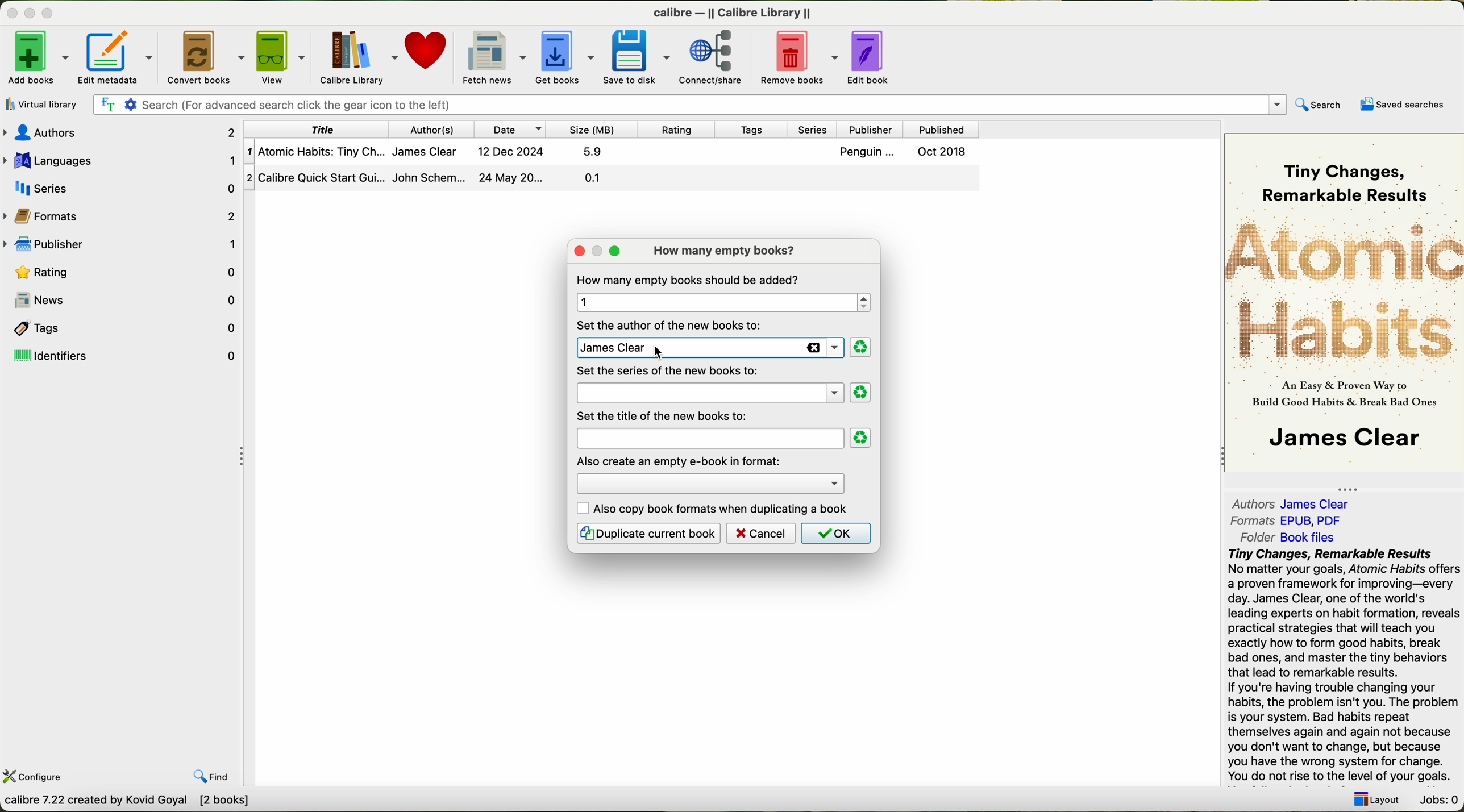 Image resolution: width=1464 pixels, height=812 pixels. I want to click on Maximize, so click(596, 249).